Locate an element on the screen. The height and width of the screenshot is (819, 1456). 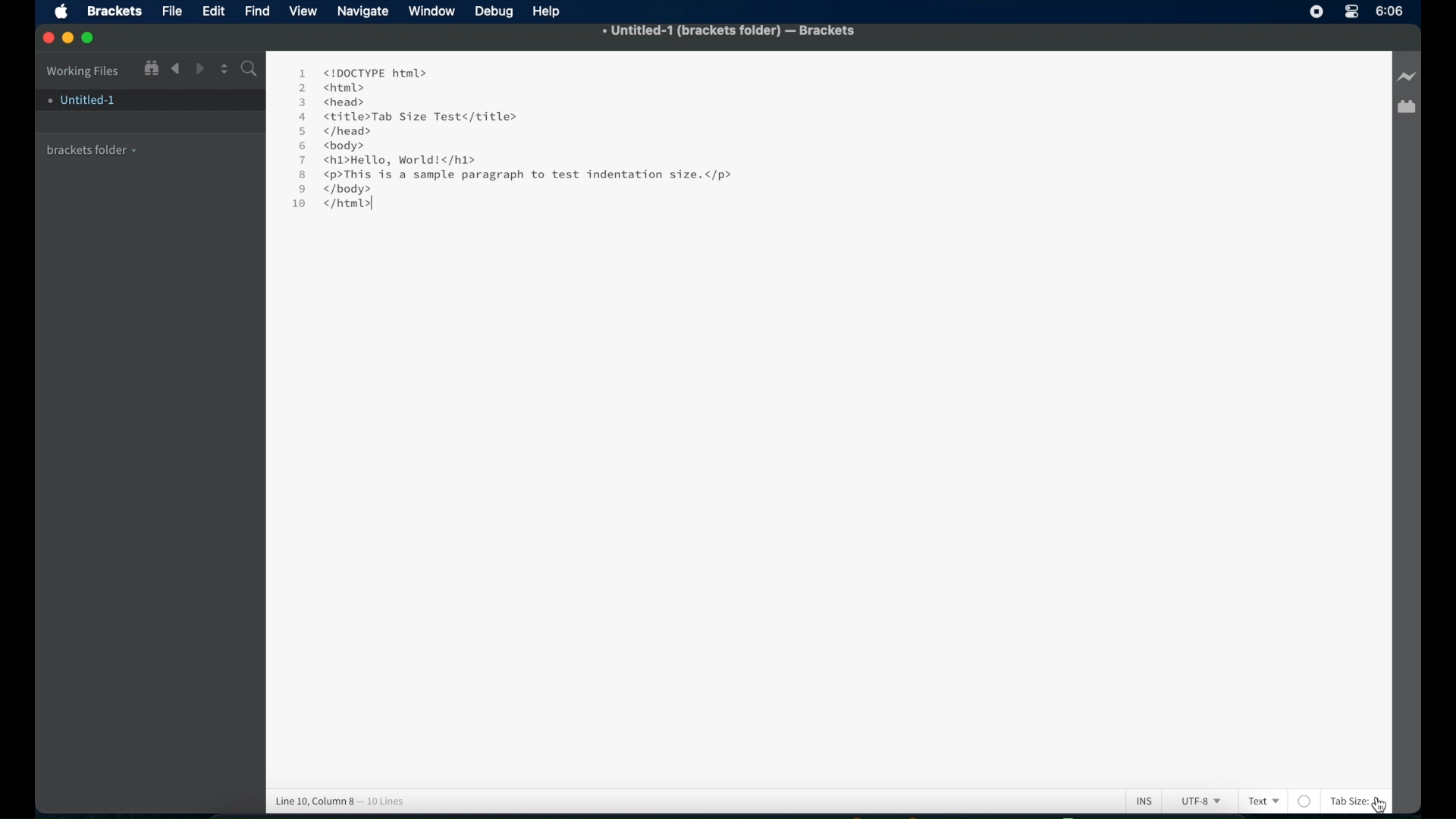
Tab Size is located at coordinates (1348, 801).